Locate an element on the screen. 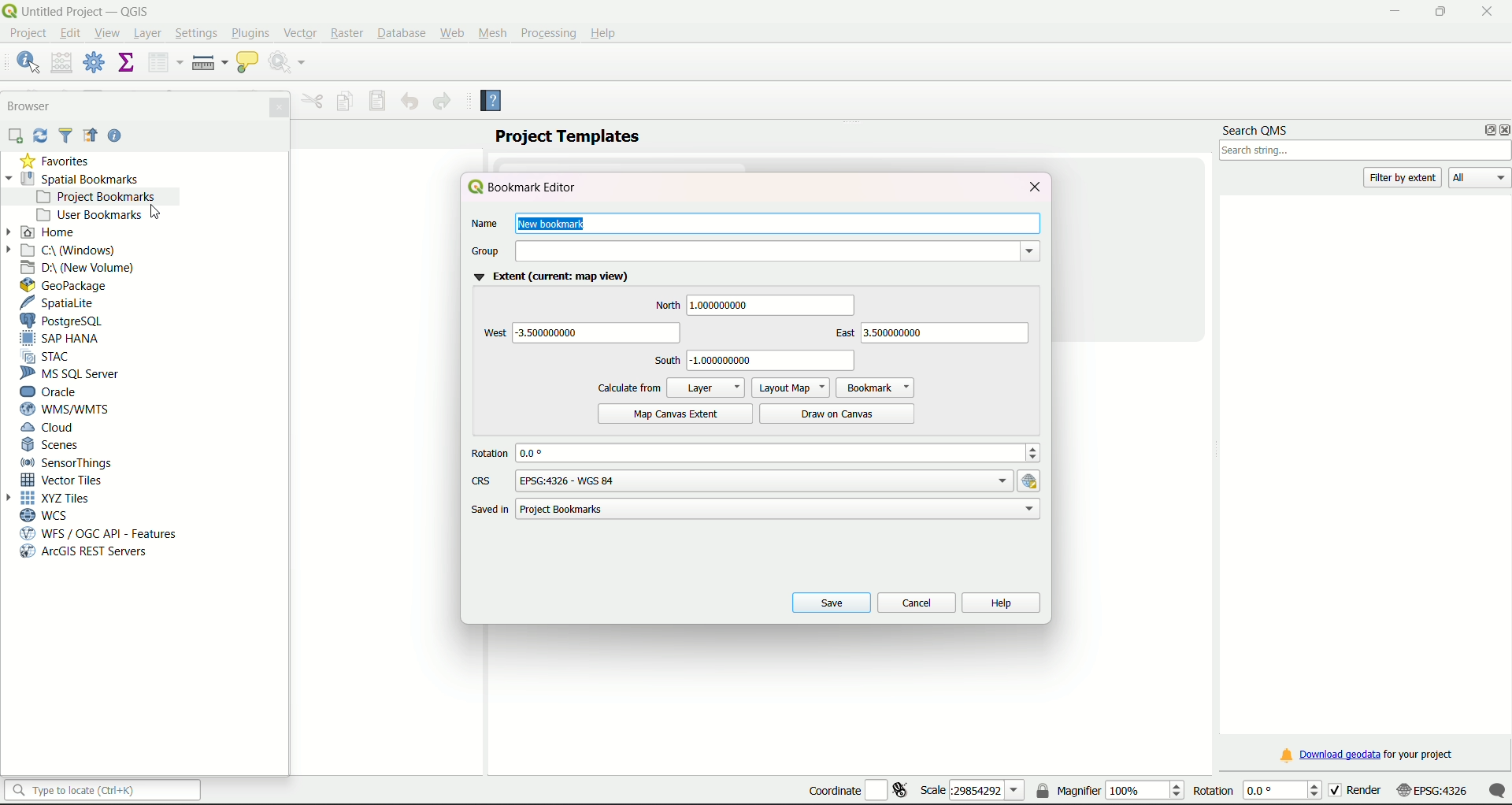  Arrow is located at coordinates (11, 232).